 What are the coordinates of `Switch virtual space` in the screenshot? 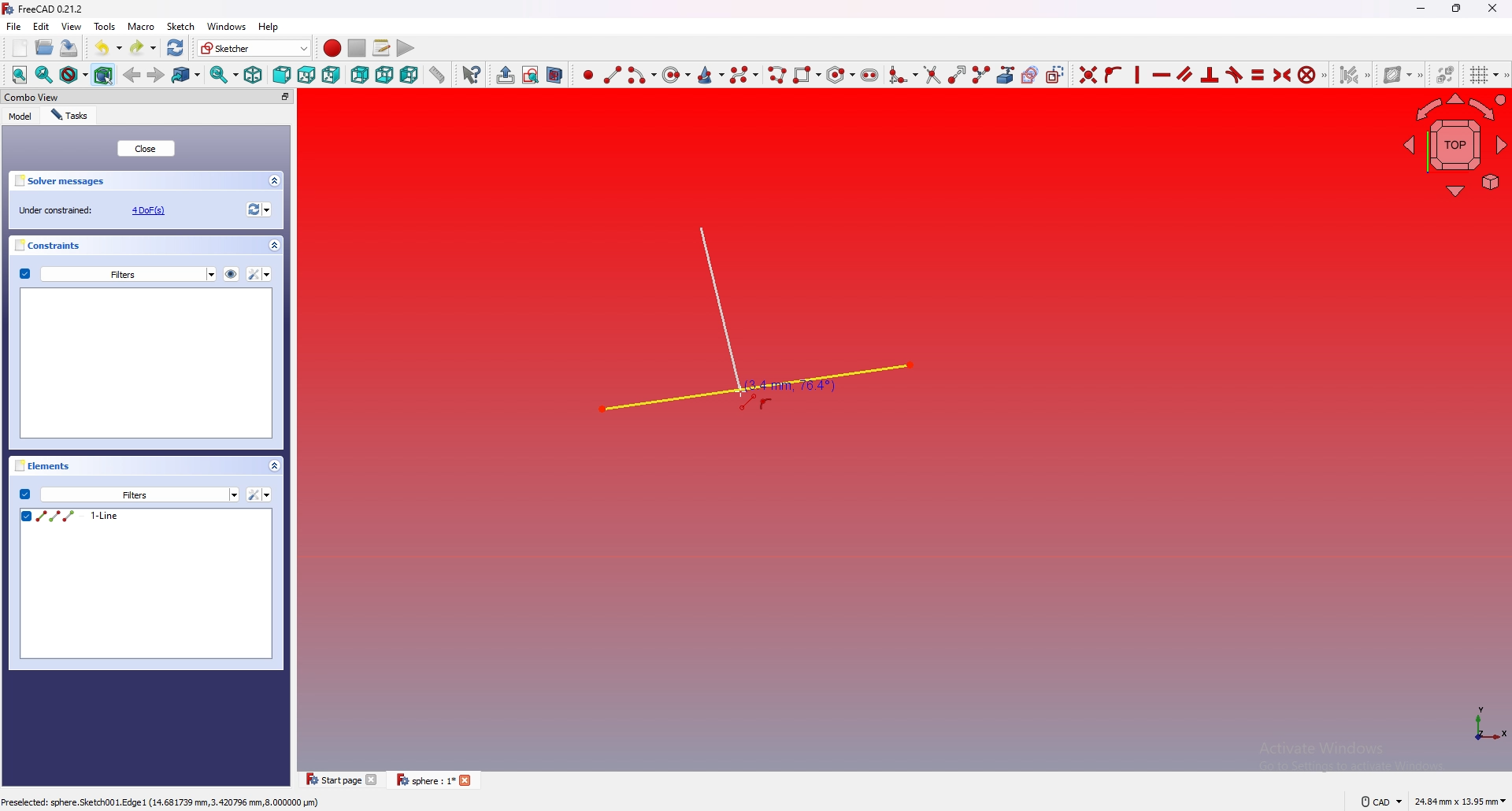 It's located at (1443, 75).